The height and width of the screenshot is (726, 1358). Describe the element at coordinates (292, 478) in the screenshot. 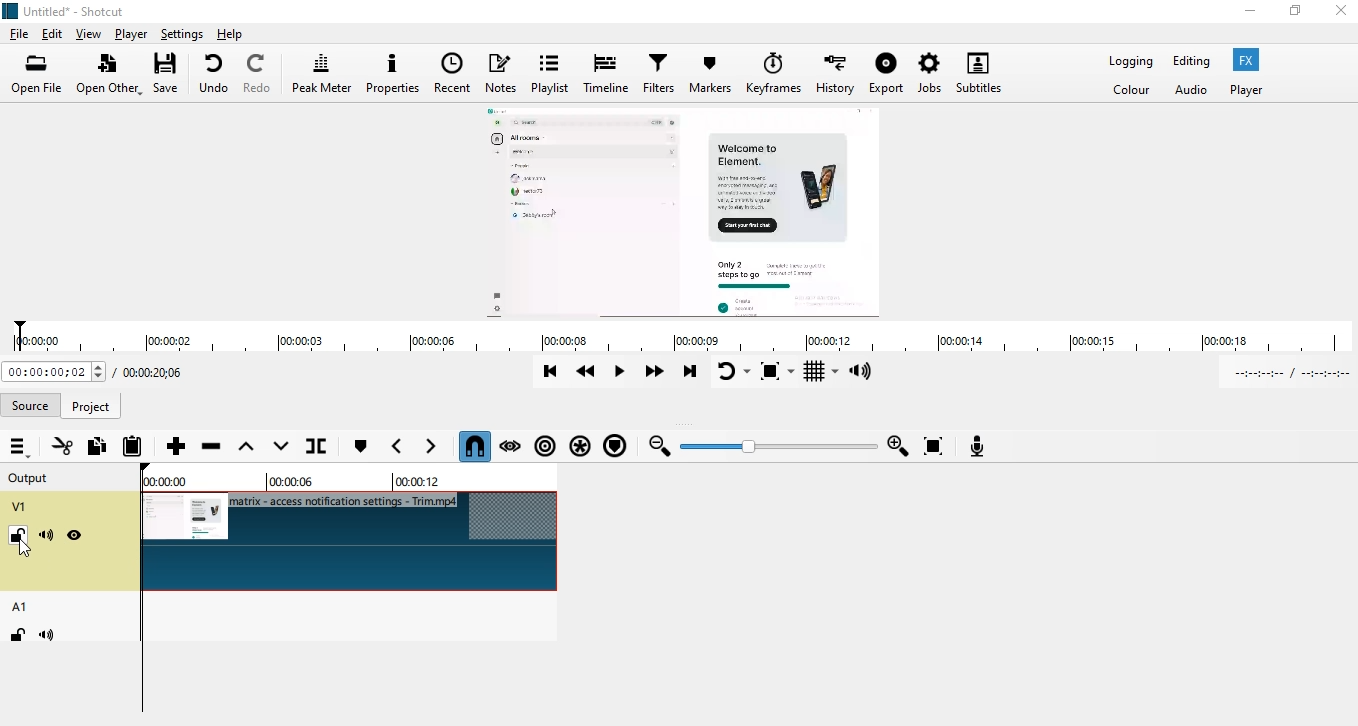

I see `time markers` at that location.